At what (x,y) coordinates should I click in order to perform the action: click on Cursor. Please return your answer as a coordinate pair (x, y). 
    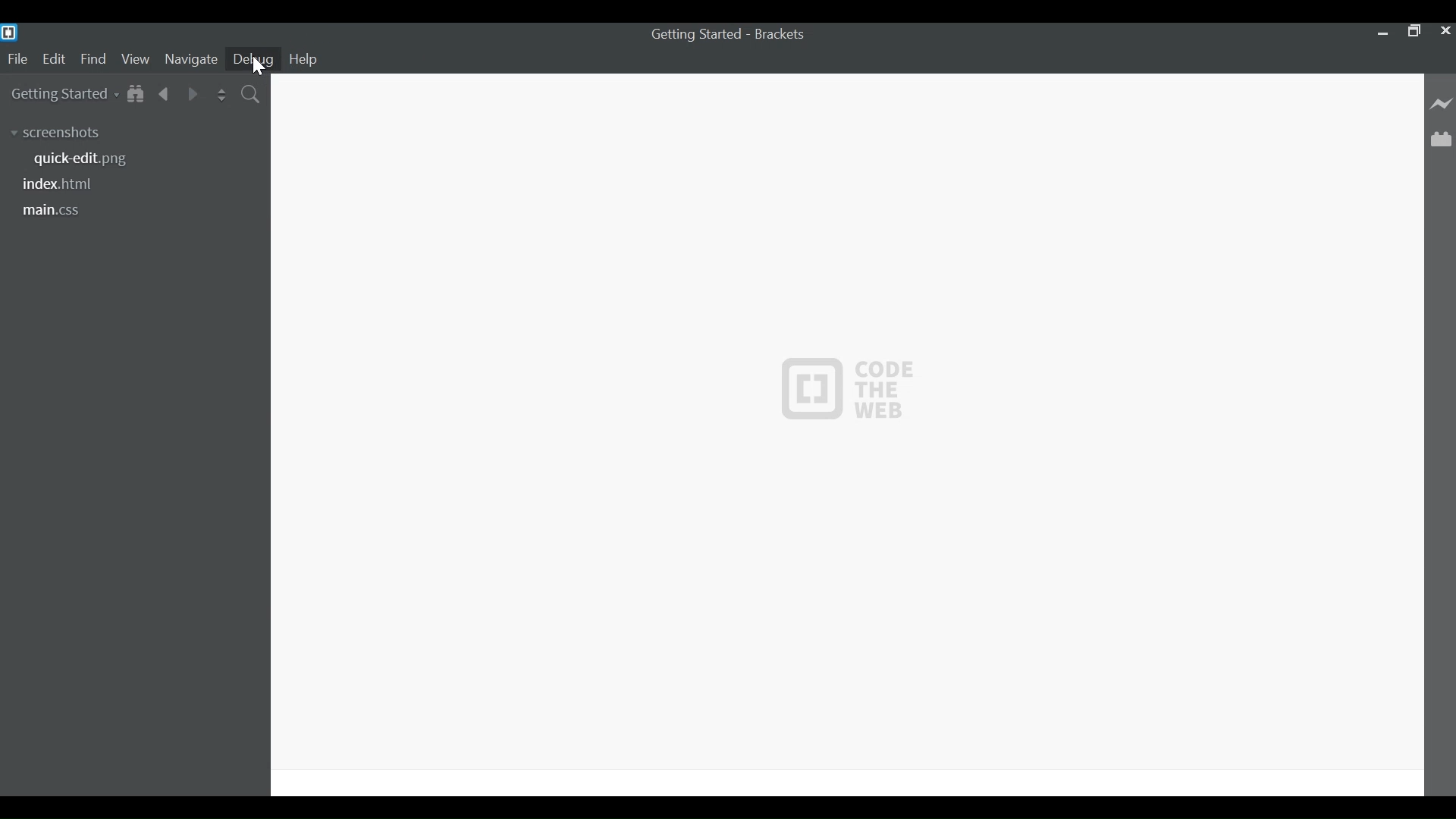
    Looking at the image, I should click on (261, 66).